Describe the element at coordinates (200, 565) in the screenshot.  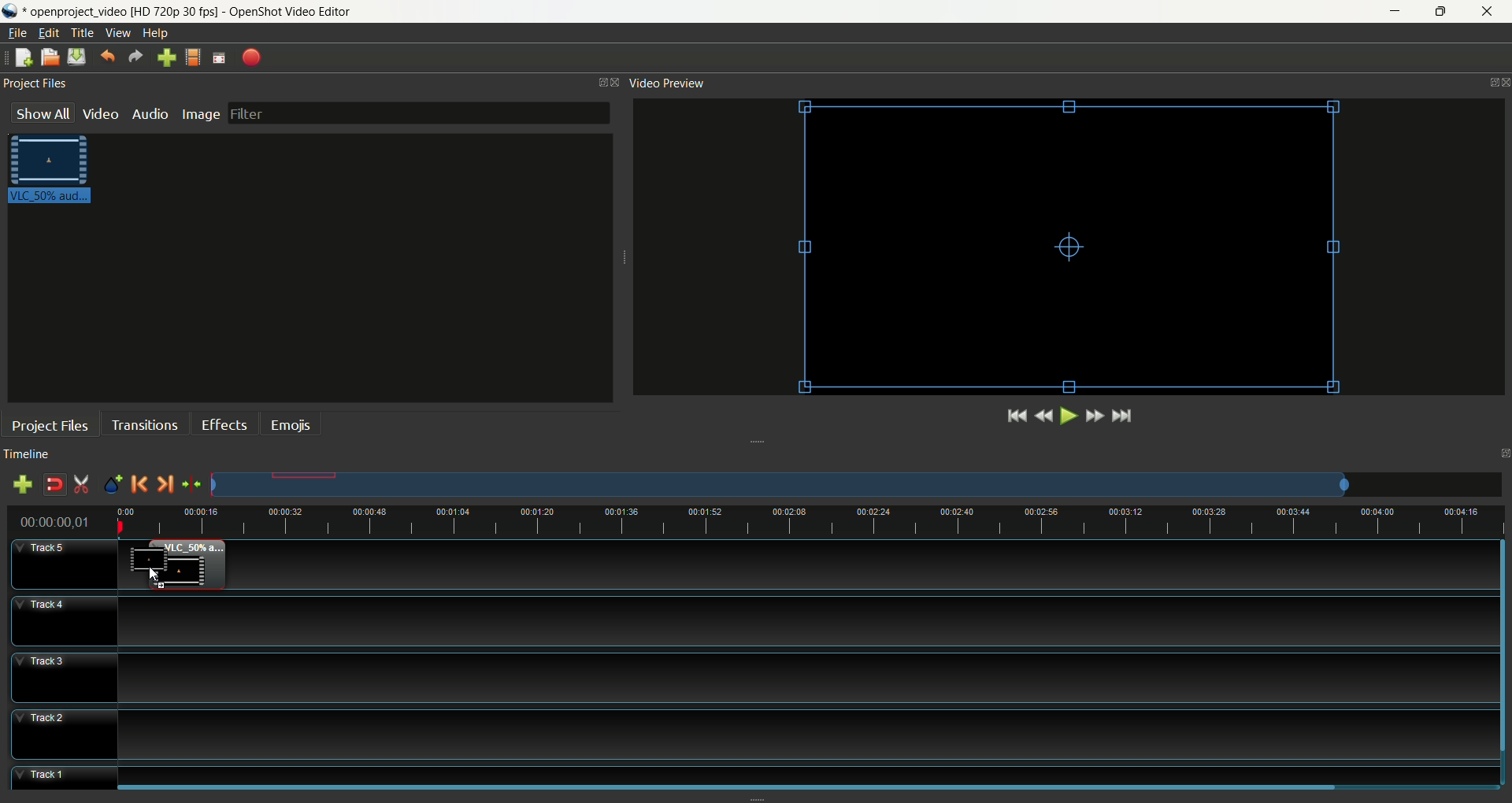
I see `video clip` at that location.